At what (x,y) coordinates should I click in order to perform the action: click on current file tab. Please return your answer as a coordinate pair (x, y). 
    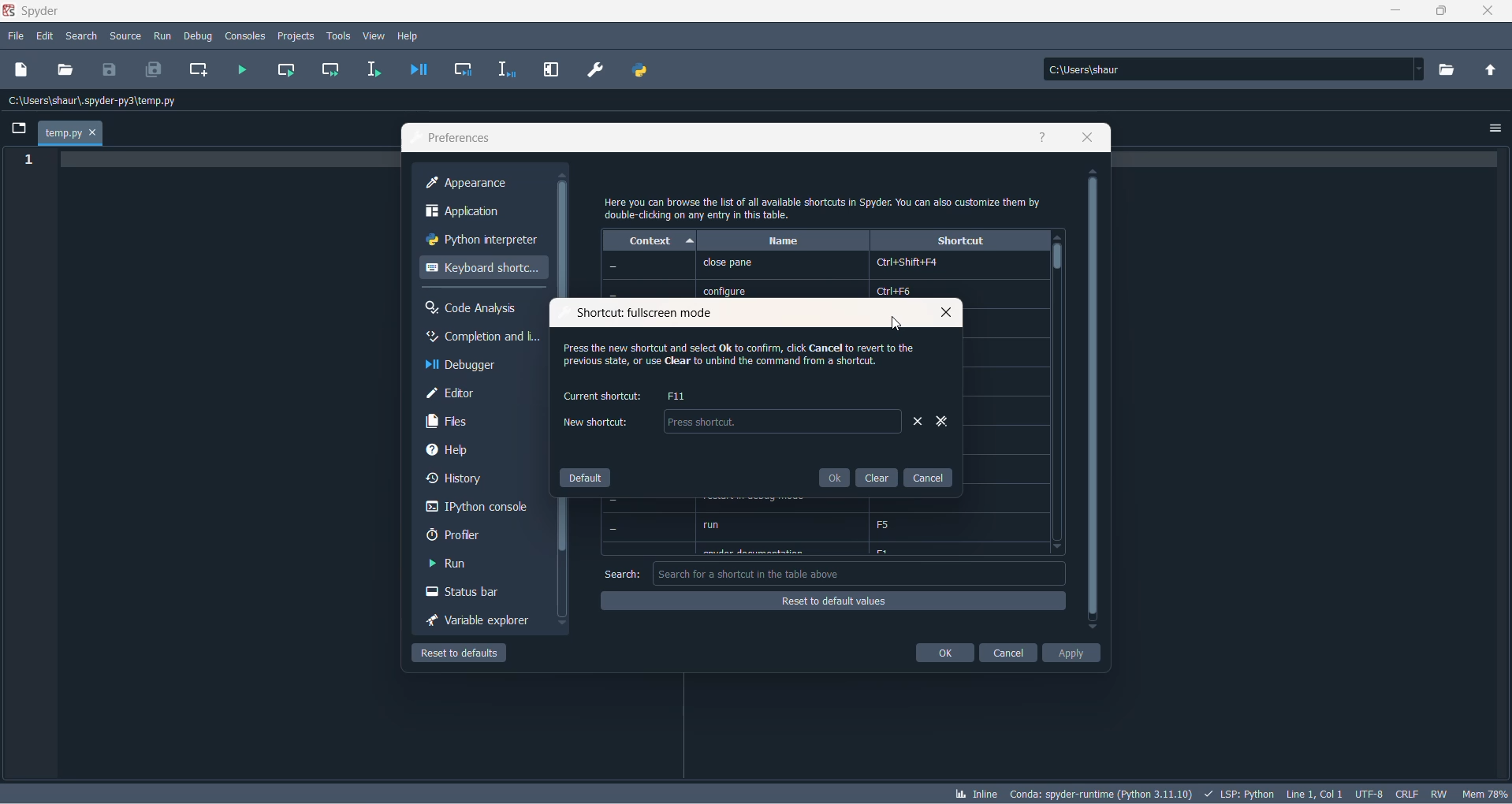
    Looking at the image, I should click on (70, 134).